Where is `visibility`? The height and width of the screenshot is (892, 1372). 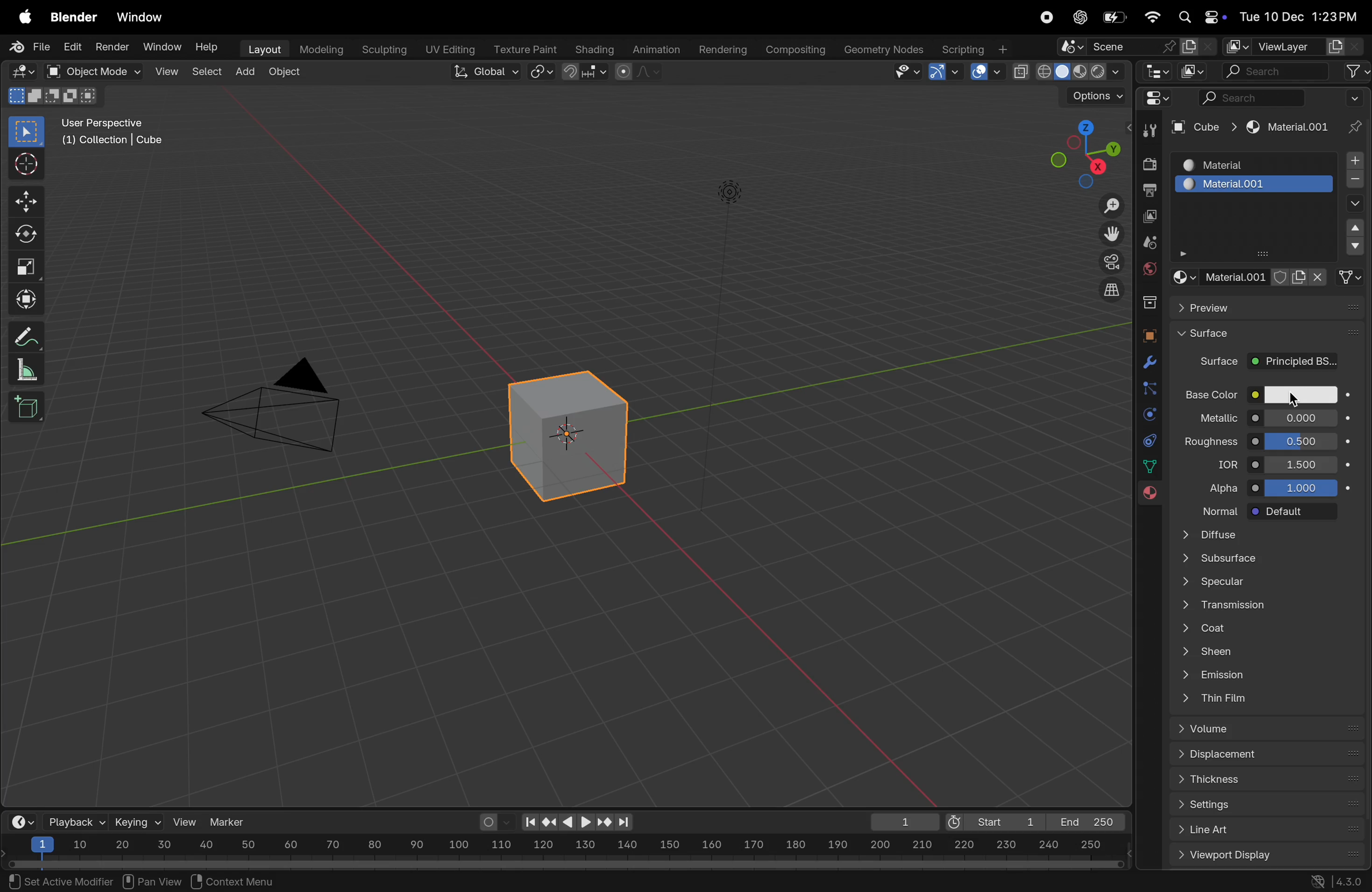
visibility is located at coordinates (905, 73).